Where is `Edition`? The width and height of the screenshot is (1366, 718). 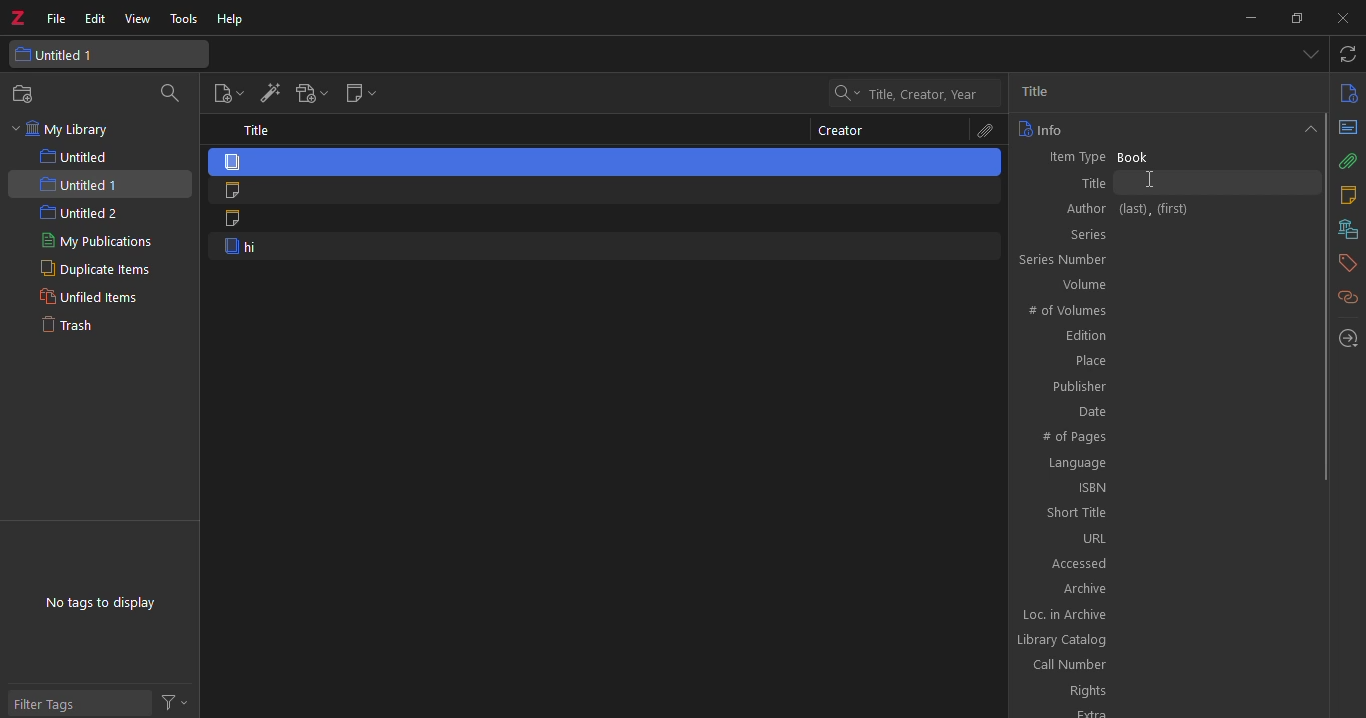 Edition is located at coordinates (1163, 337).